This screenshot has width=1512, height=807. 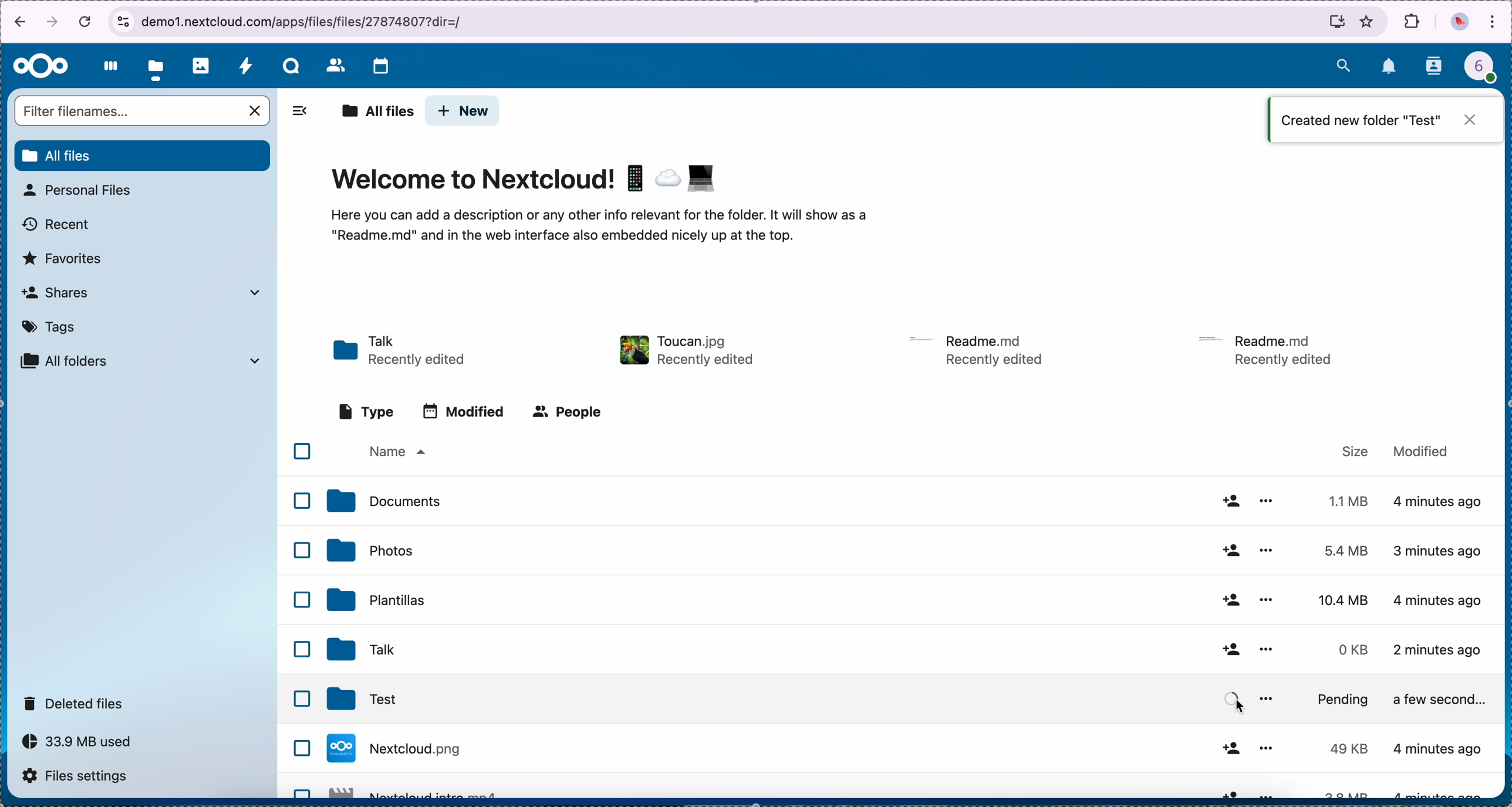 What do you see at coordinates (1229, 549) in the screenshot?
I see `share` at bounding box center [1229, 549].